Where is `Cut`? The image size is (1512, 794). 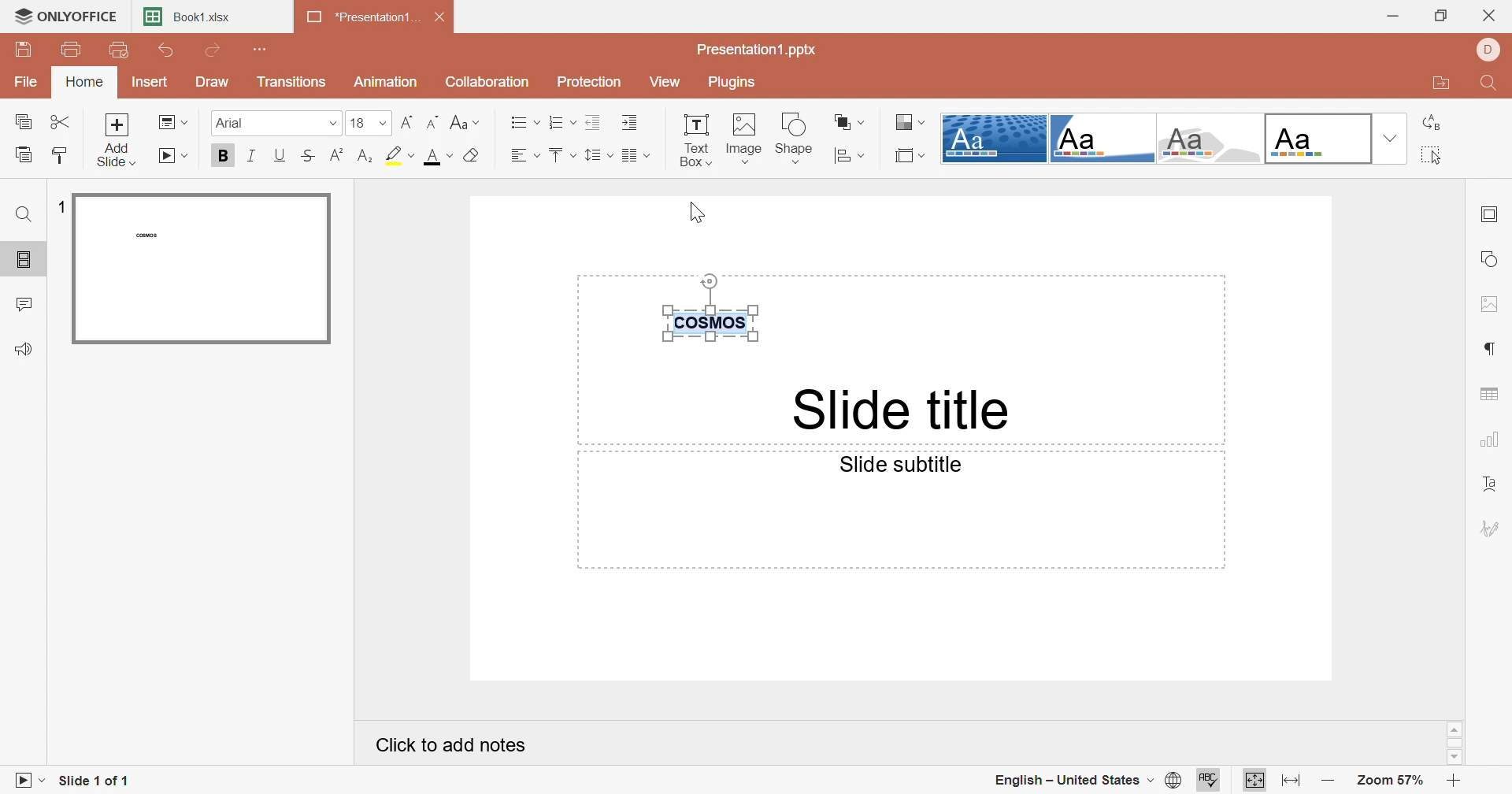 Cut is located at coordinates (55, 123).